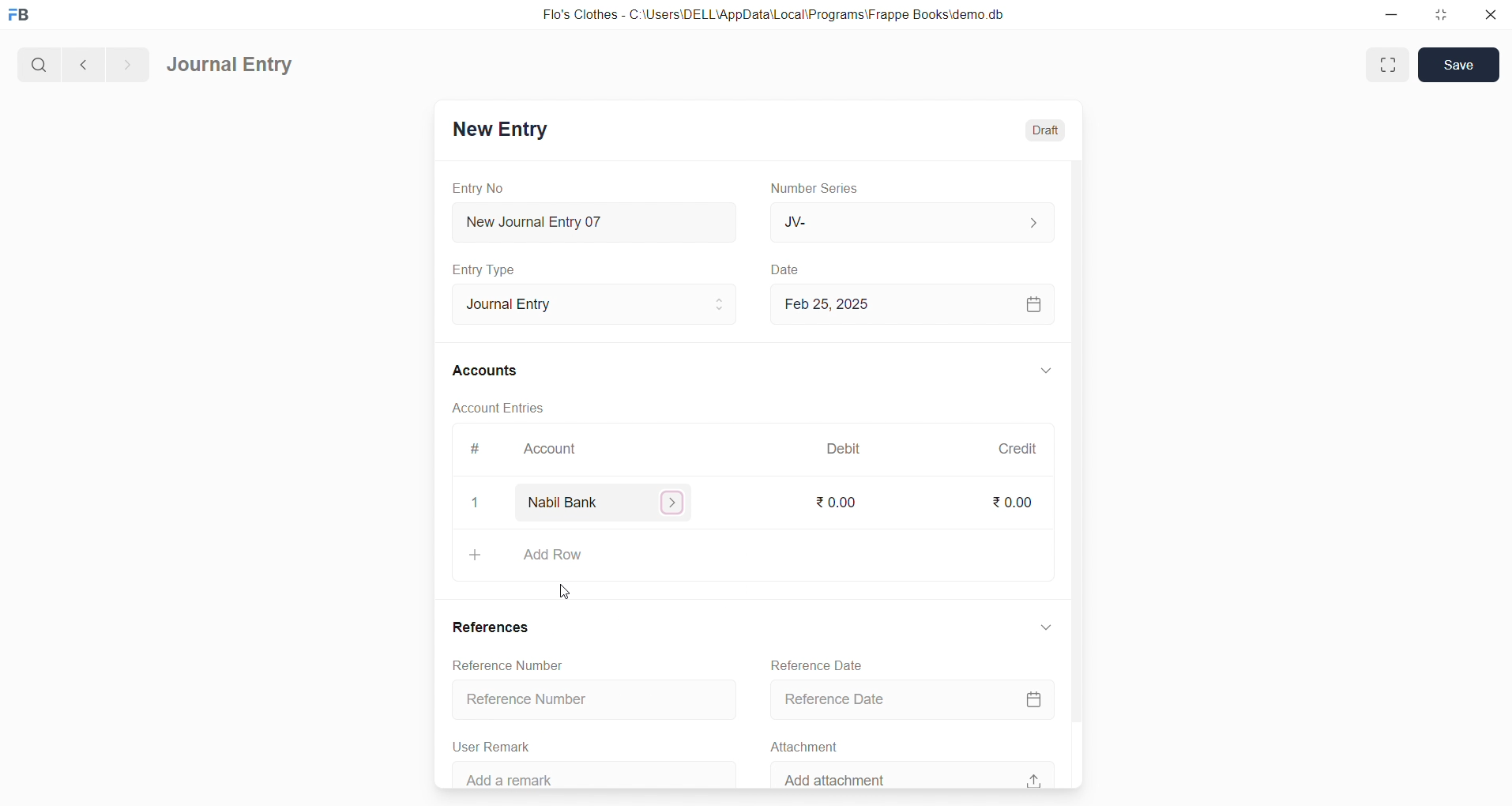 This screenshot has height=806, width=1512. I want to click on Draft, so click(1046, 128).